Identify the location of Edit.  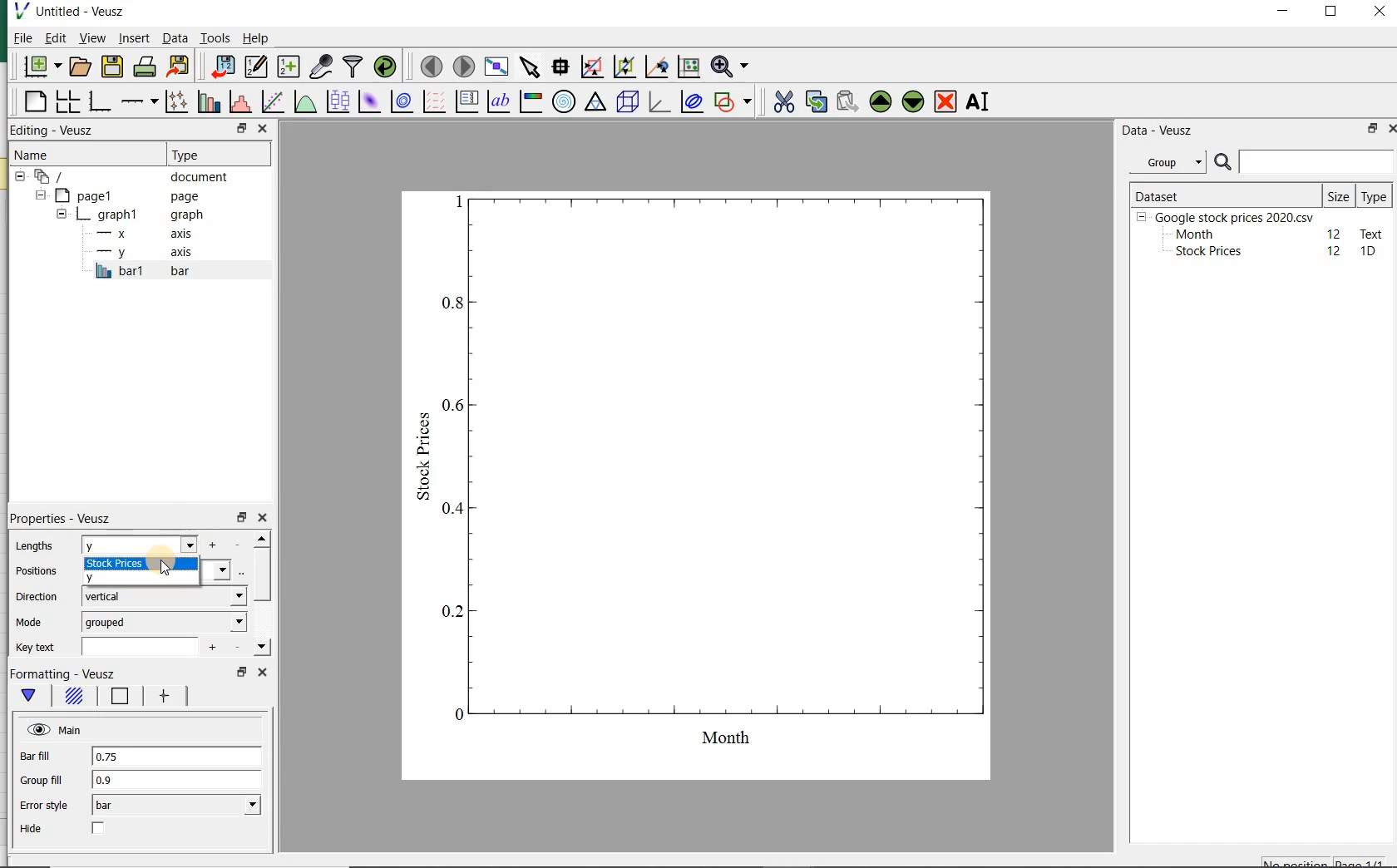
(54, 37).